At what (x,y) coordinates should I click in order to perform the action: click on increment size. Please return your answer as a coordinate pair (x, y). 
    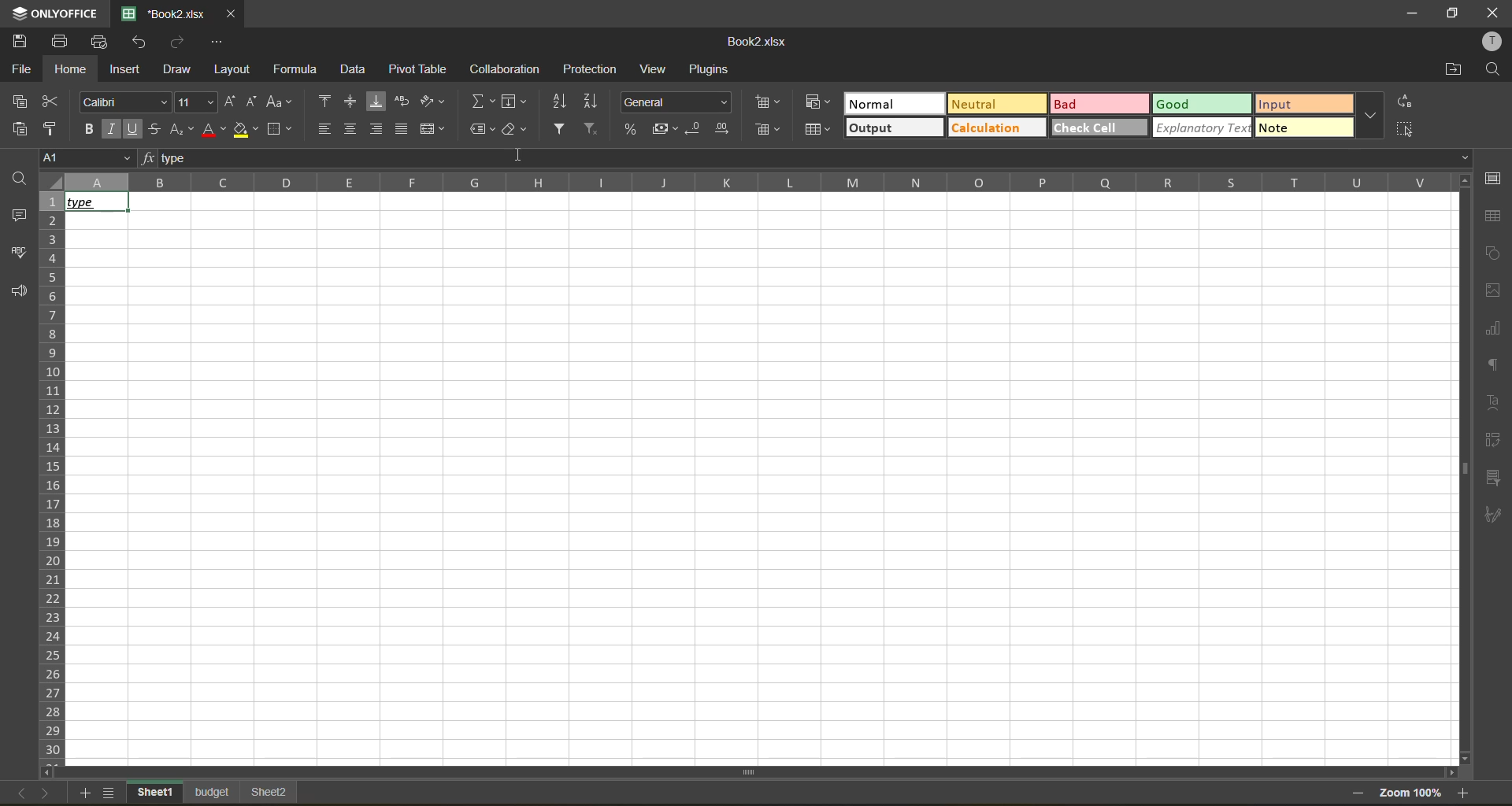
    Looking at the image, I should click on (232, 101).